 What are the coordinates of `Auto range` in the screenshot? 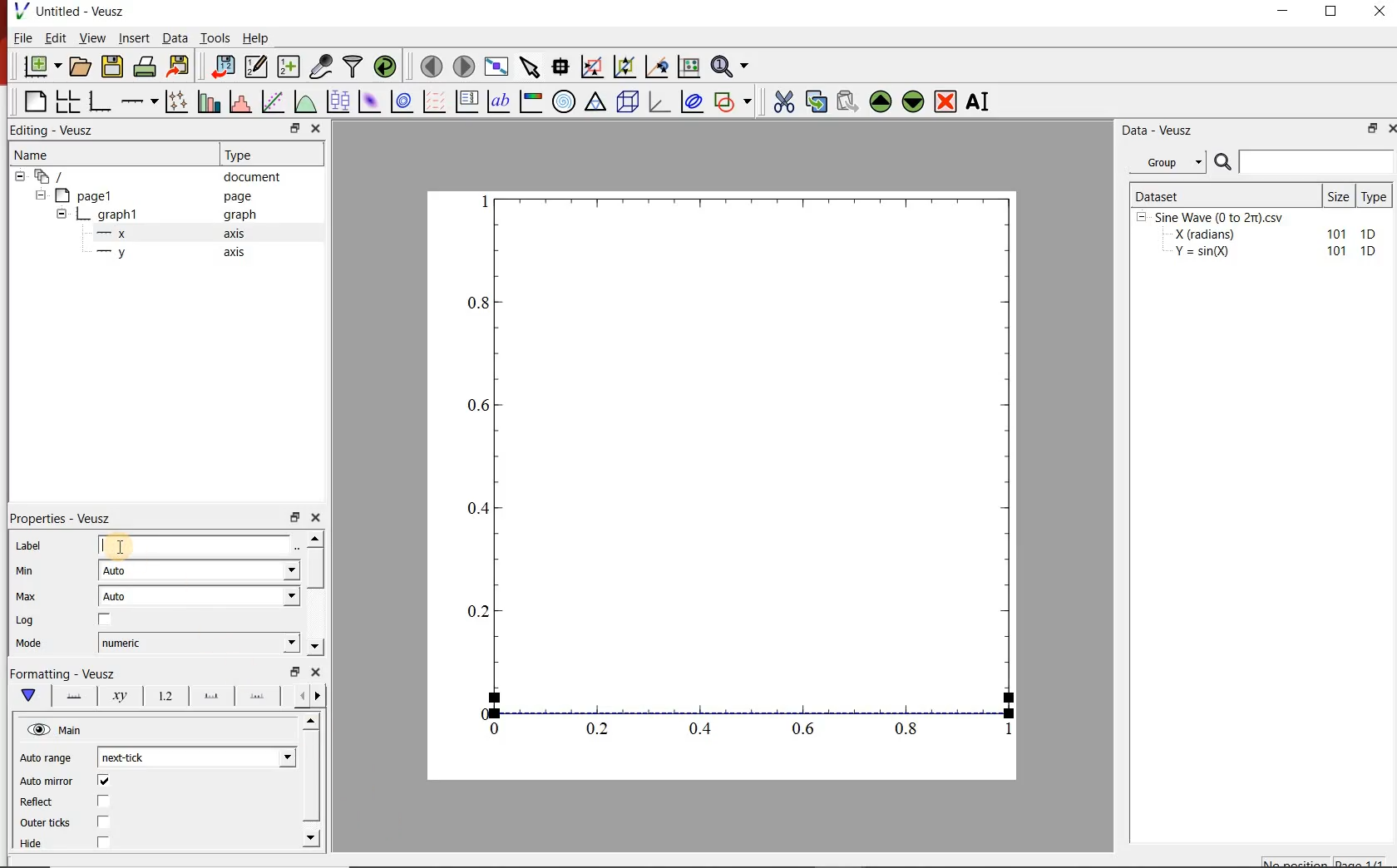 It's located at (47, 756).